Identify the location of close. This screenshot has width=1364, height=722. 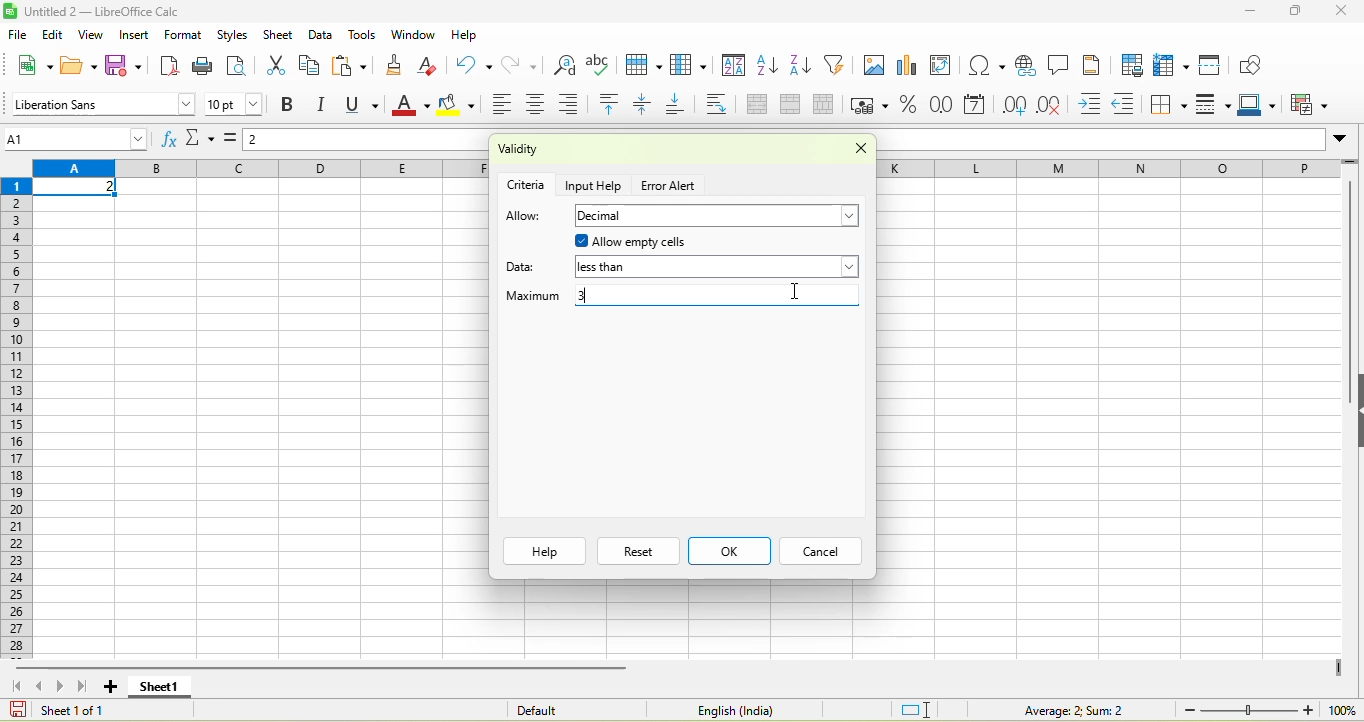
(1344, 10).